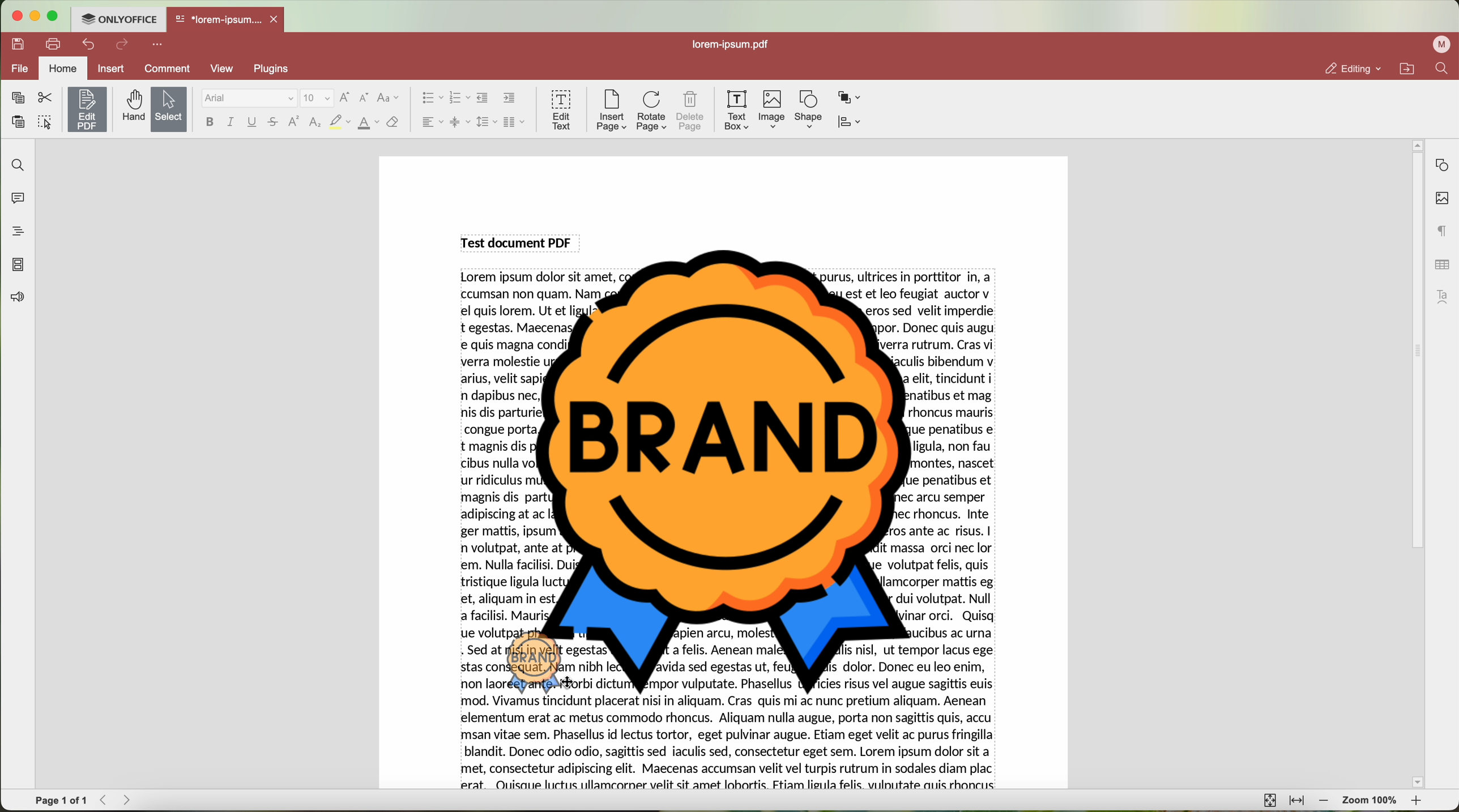 The height and width of the screenshot is (812, 1459). Describe the element at coordinates (1324, 801) in the screenshot. I see `zoom out` at that location.